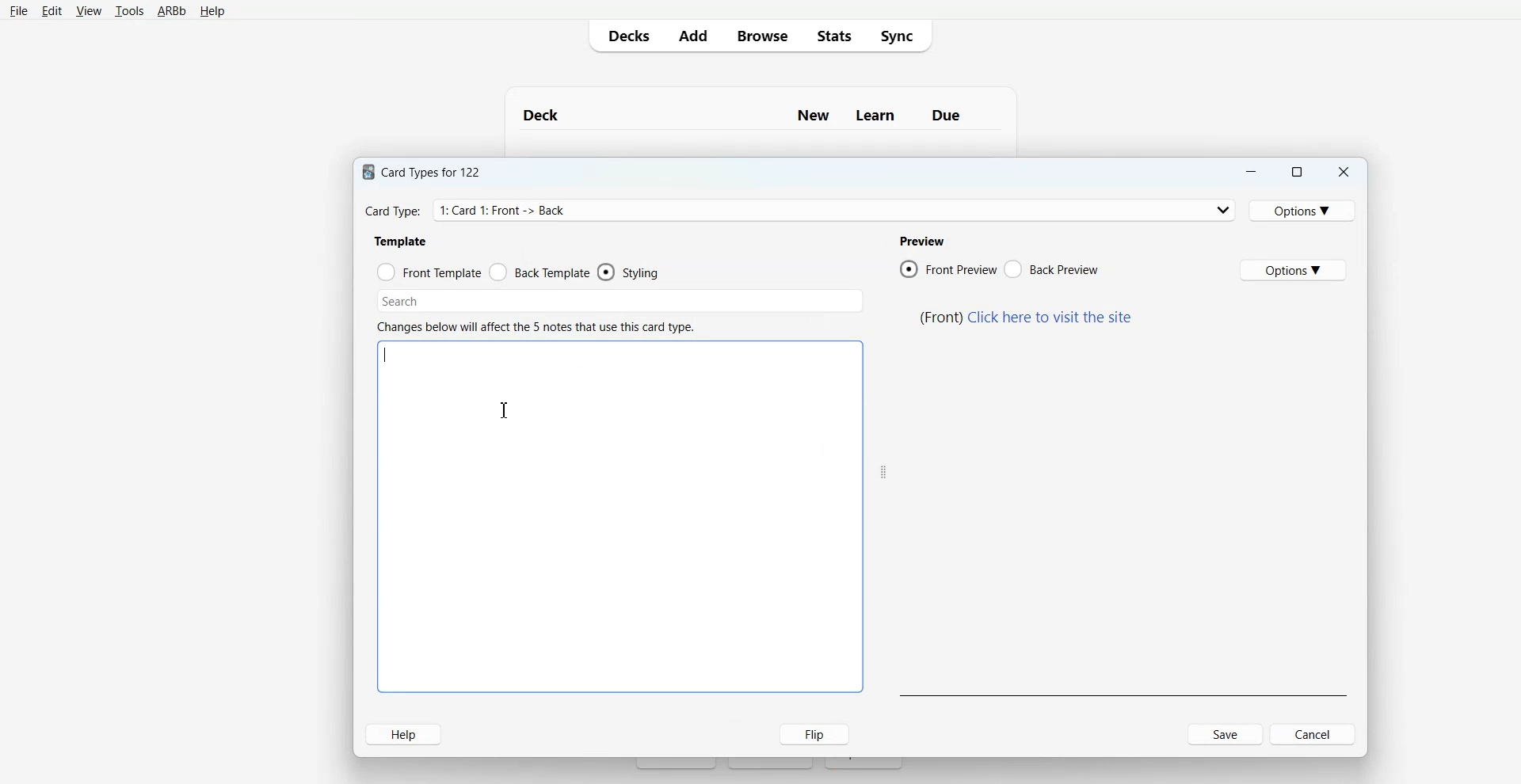  What do you see at coordinates (212, 12) in the screenshot?
I see `Help` at bounding box center [212, 12].